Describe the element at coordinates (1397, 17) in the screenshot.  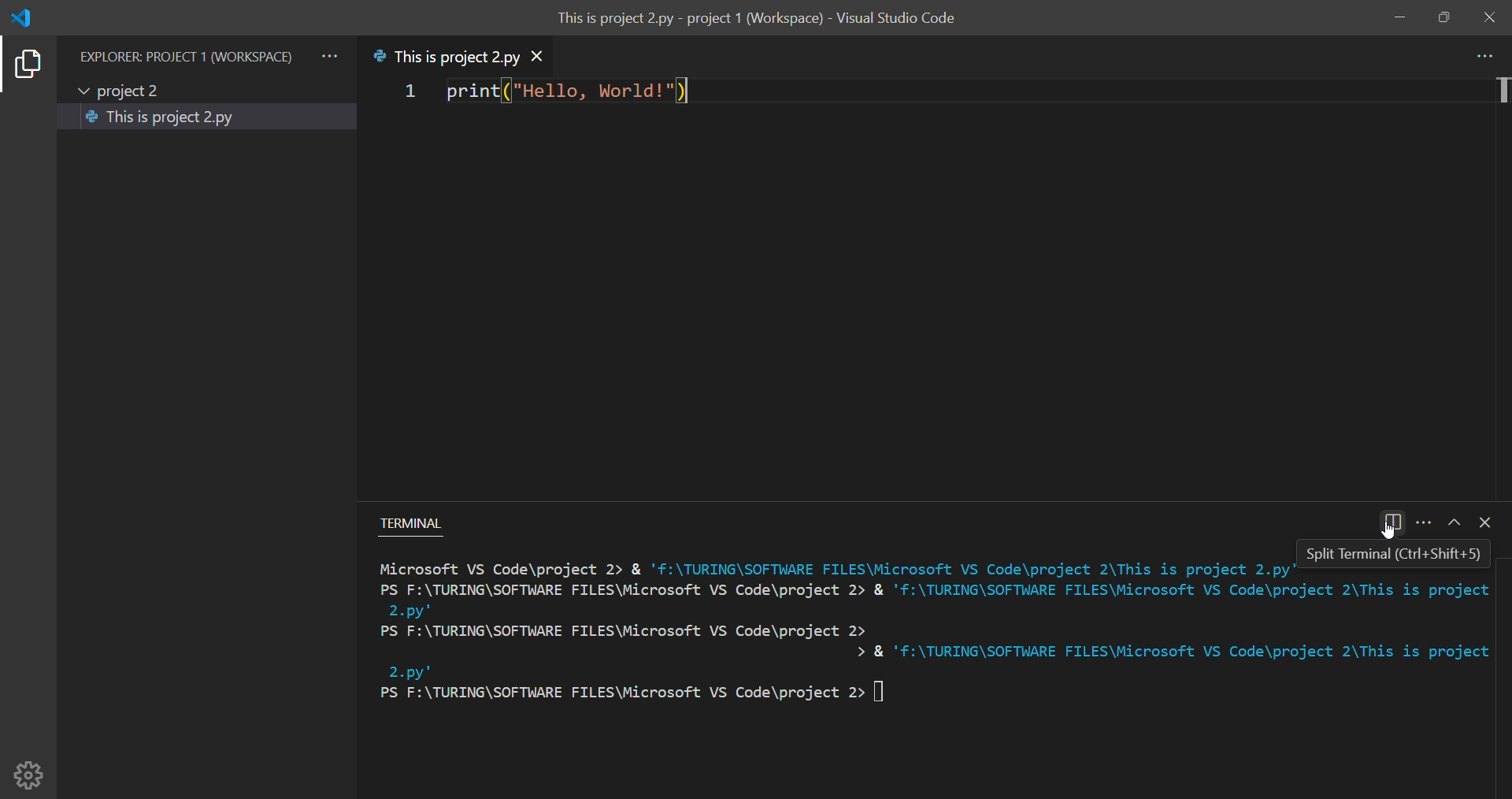
I see `minimize` at that location.